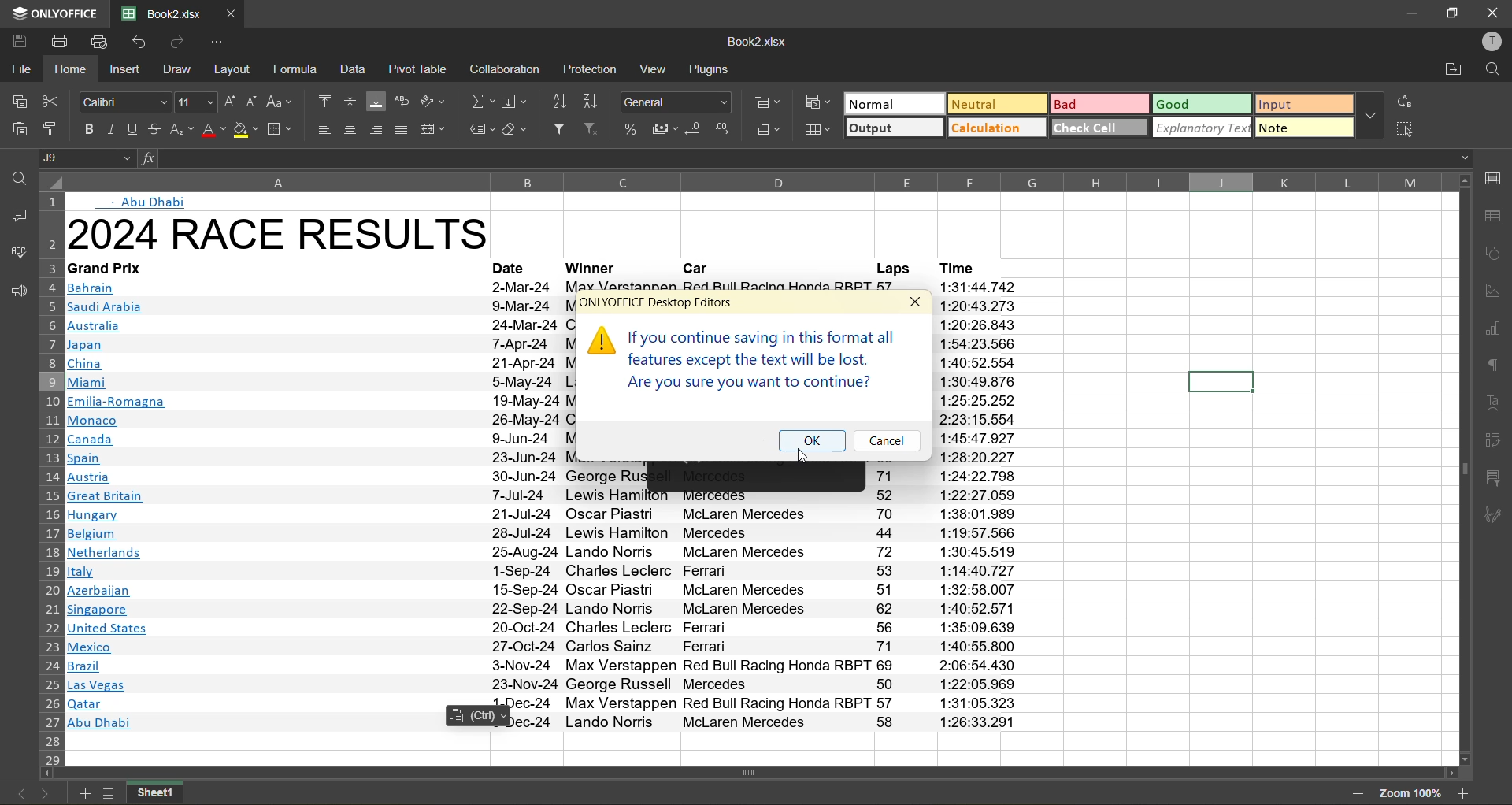  Describe the element at coordinates (1446, 68) in the screenshot. I see `open location` at that location.